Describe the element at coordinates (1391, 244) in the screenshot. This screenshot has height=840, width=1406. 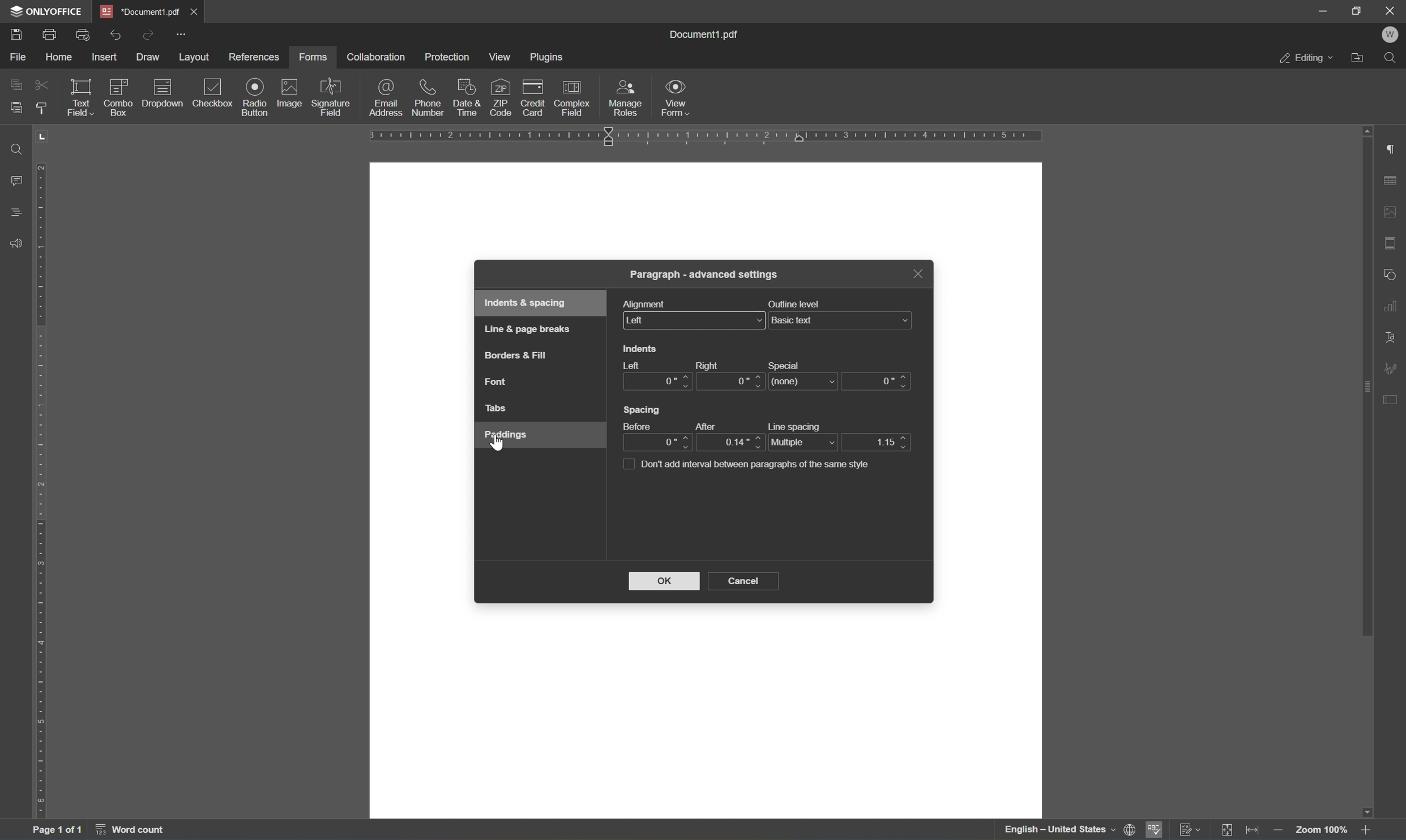
I see `header & footer settings` at that location.